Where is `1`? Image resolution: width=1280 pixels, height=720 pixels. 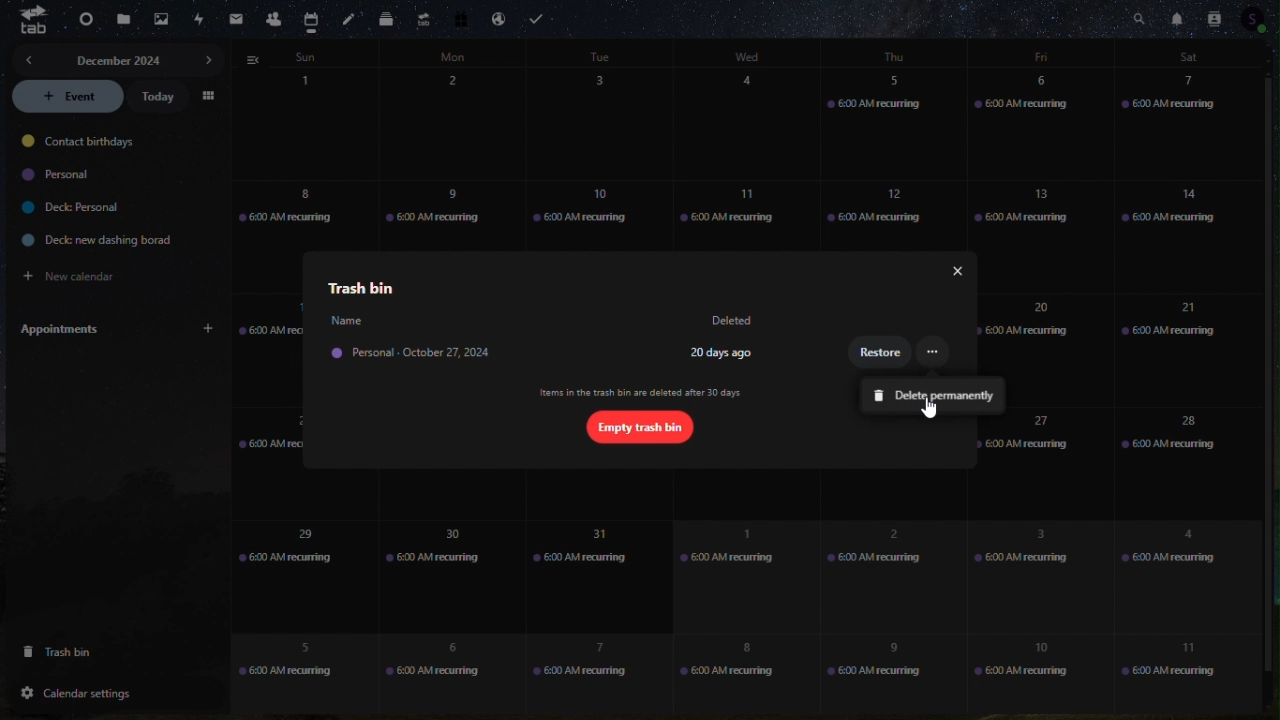 1 is located at coordinates (733, 571).